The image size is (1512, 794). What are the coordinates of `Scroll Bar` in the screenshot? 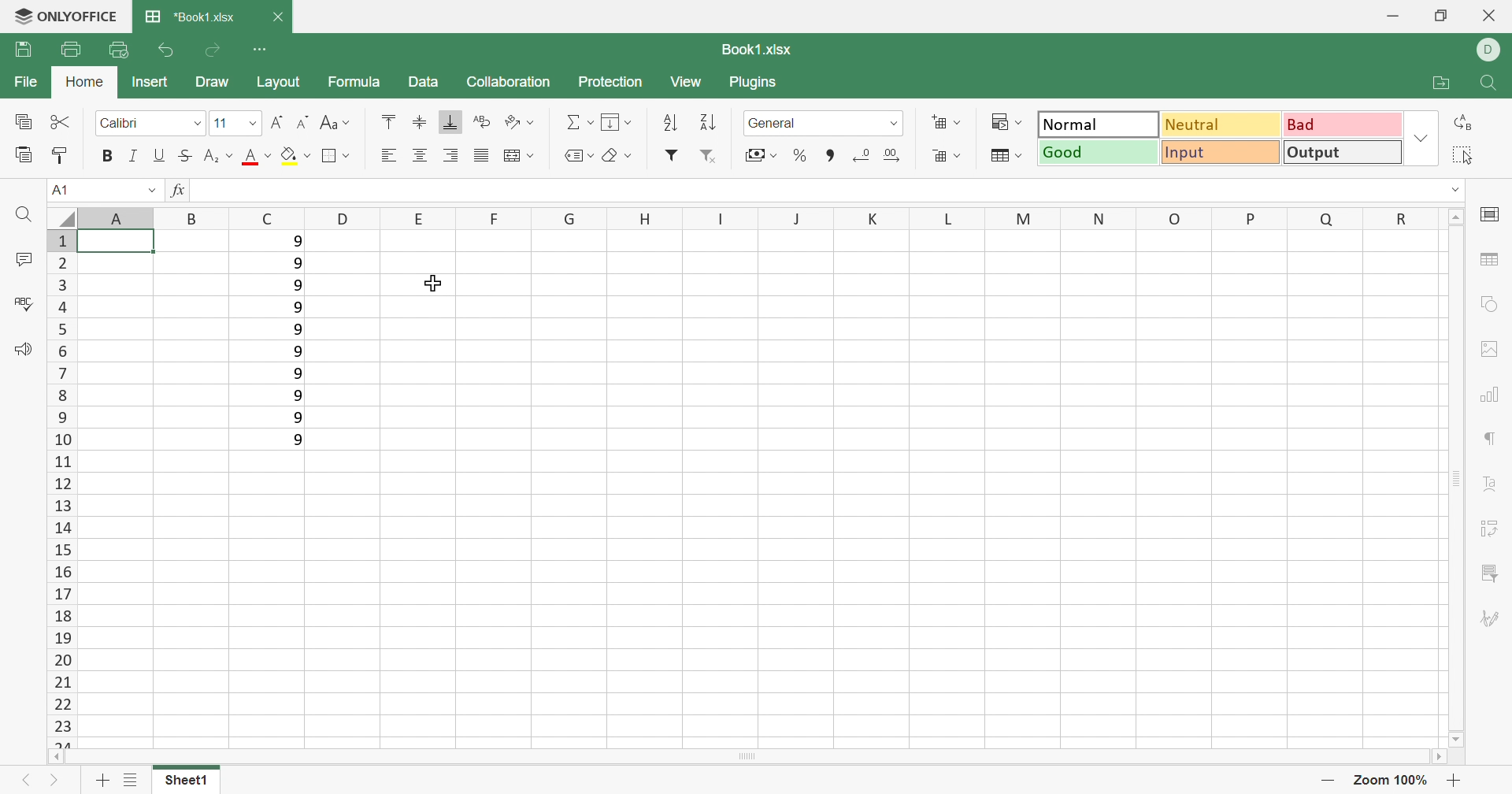 It's located at (750, 759).